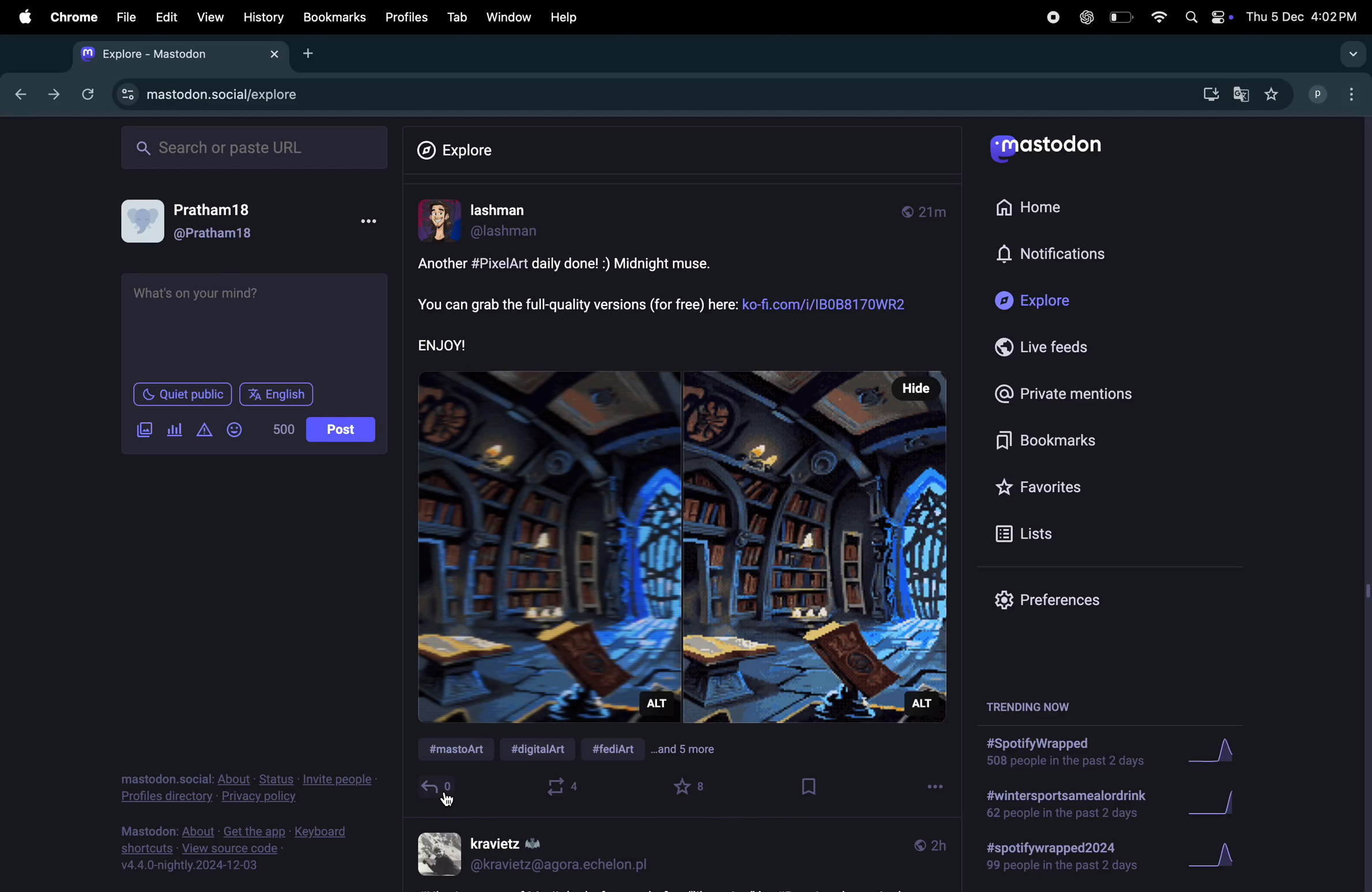 The height and width of the screenshot is (892, 1372). Describe the element at coordinates (184, 395) in the screenshot. I see `Quiet public` at that location.